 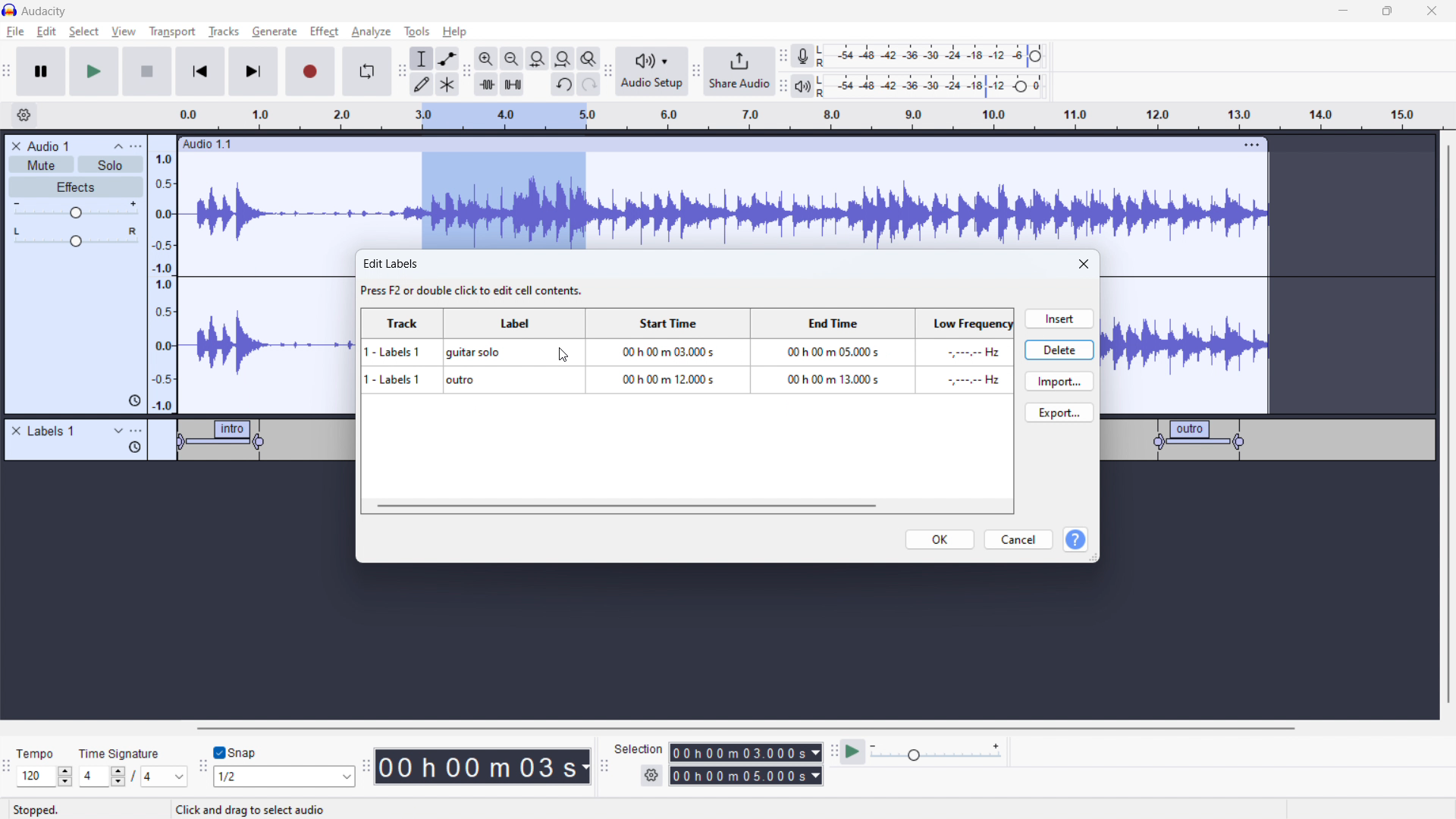 What do you see at coordinates (448, 84) in the screenshot?
I see `multi tool` at bounding box center [448, 84].